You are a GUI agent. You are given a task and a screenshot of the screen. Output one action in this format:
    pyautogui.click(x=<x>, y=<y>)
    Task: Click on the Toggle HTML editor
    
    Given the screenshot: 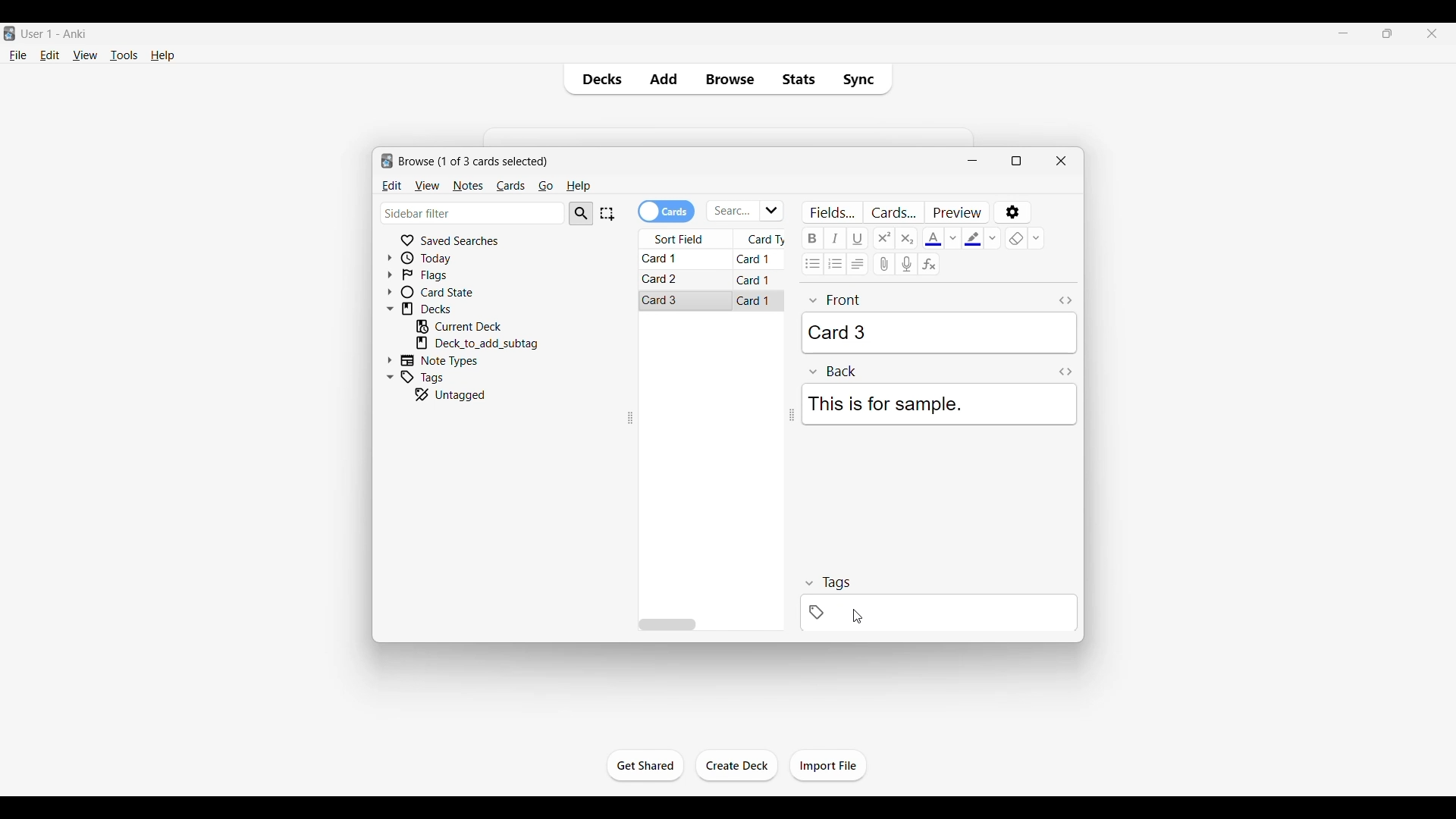 What is the action you would take?
    pyautogui.click(x=1065, y=372)
    